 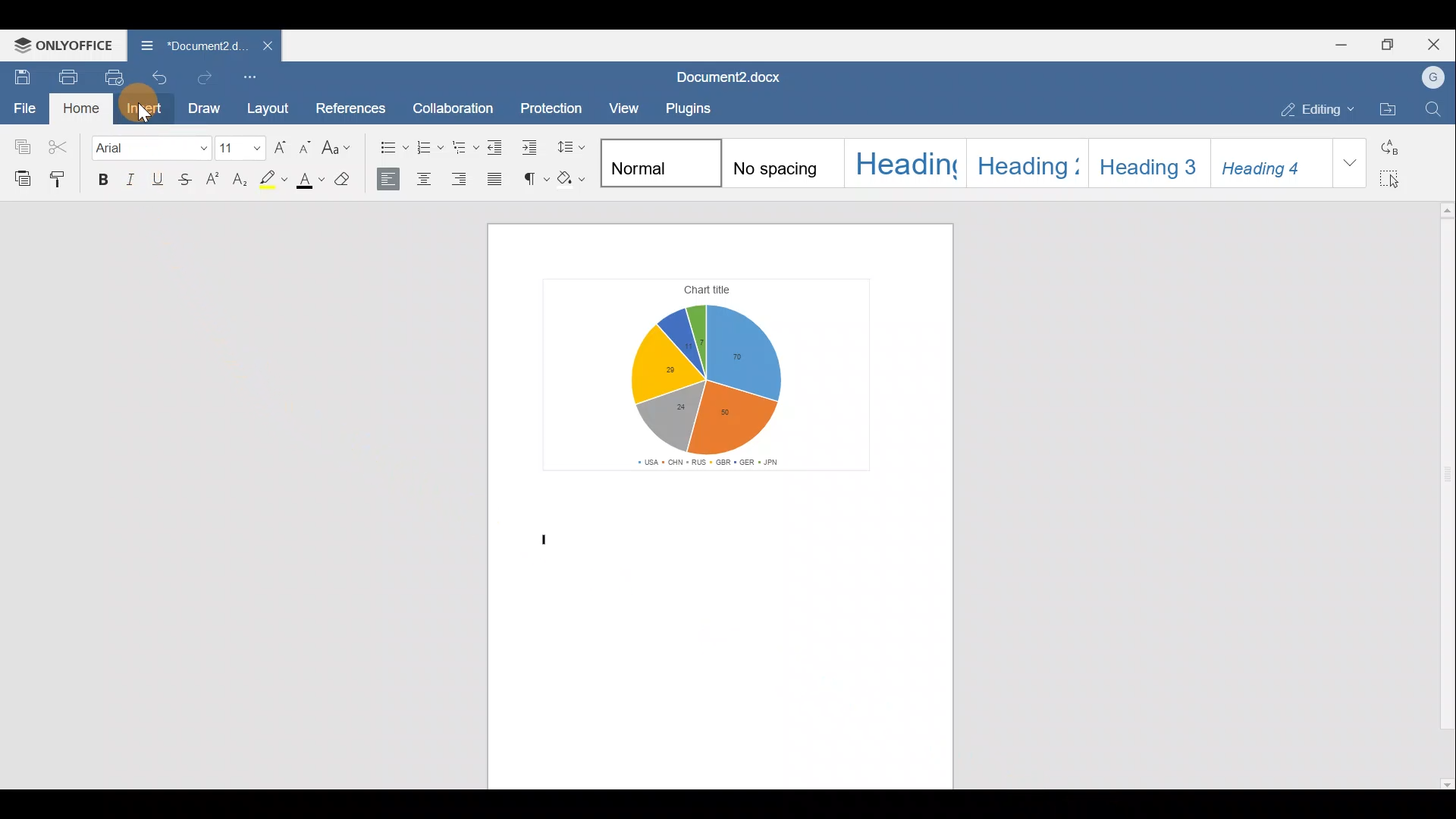 I want to click on Copy, so click(x=19, y=145).